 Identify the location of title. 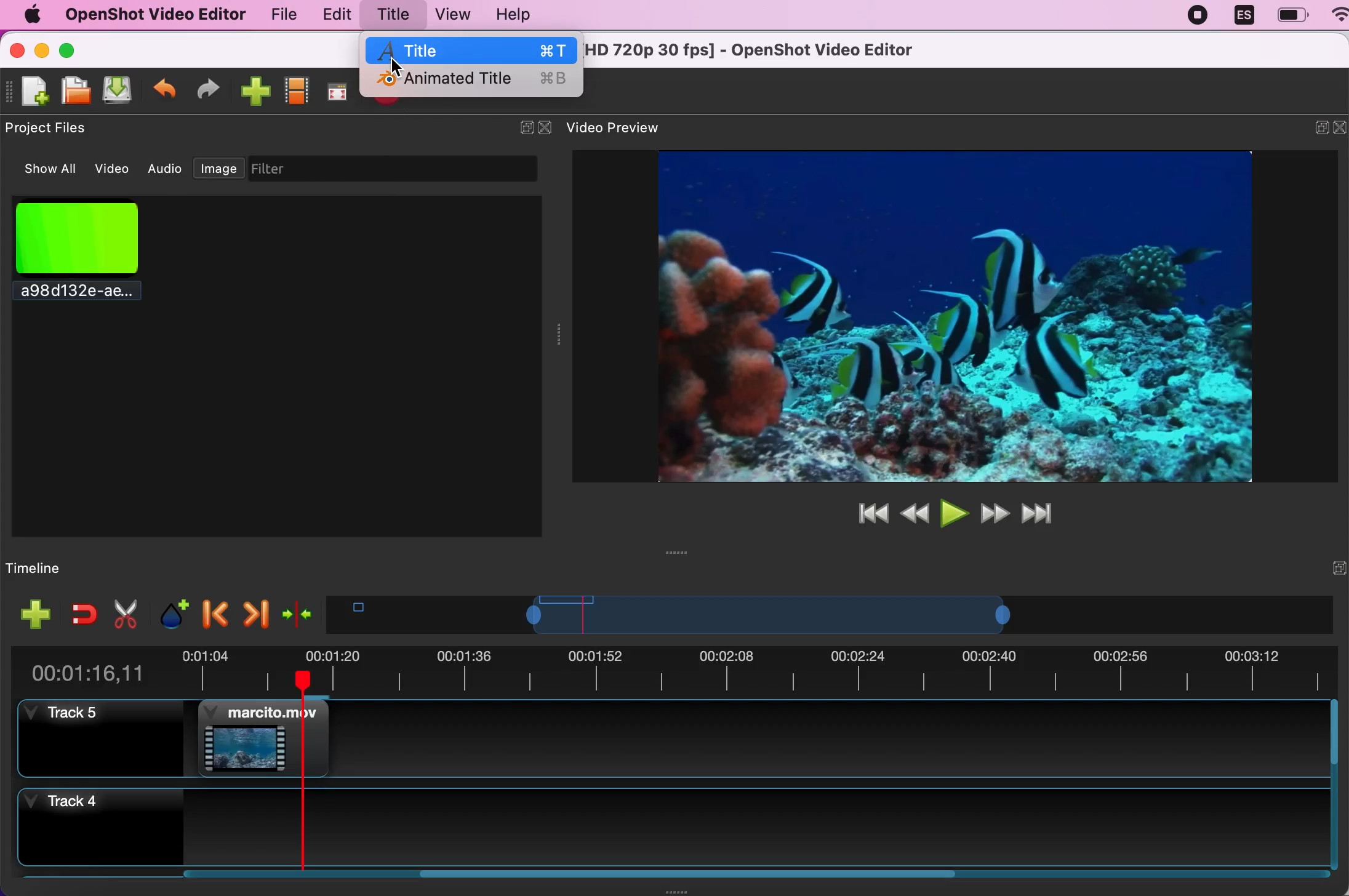
(393, 14).